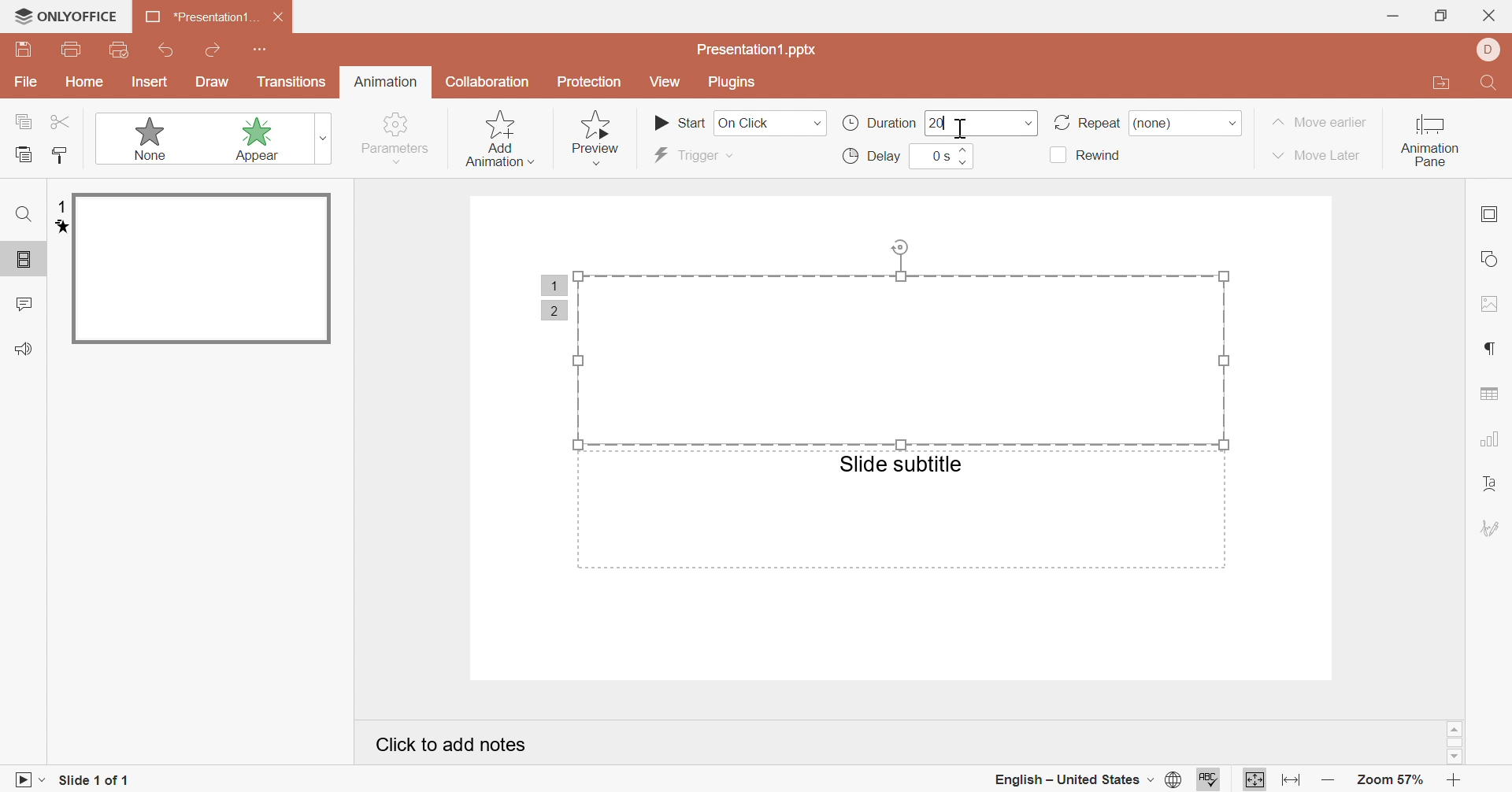 The width and height of the screenshot is (1512, 792). I want to click on repeat, so click(1085, 124).